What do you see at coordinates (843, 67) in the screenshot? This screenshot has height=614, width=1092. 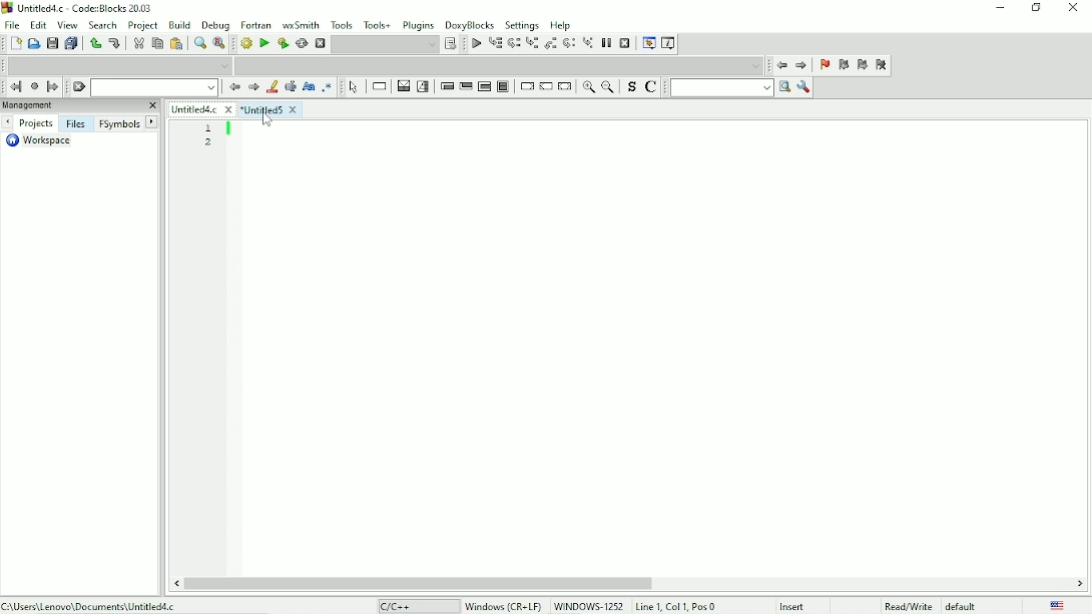 I see `Prev bookmark` at bounding box center [843, 67].